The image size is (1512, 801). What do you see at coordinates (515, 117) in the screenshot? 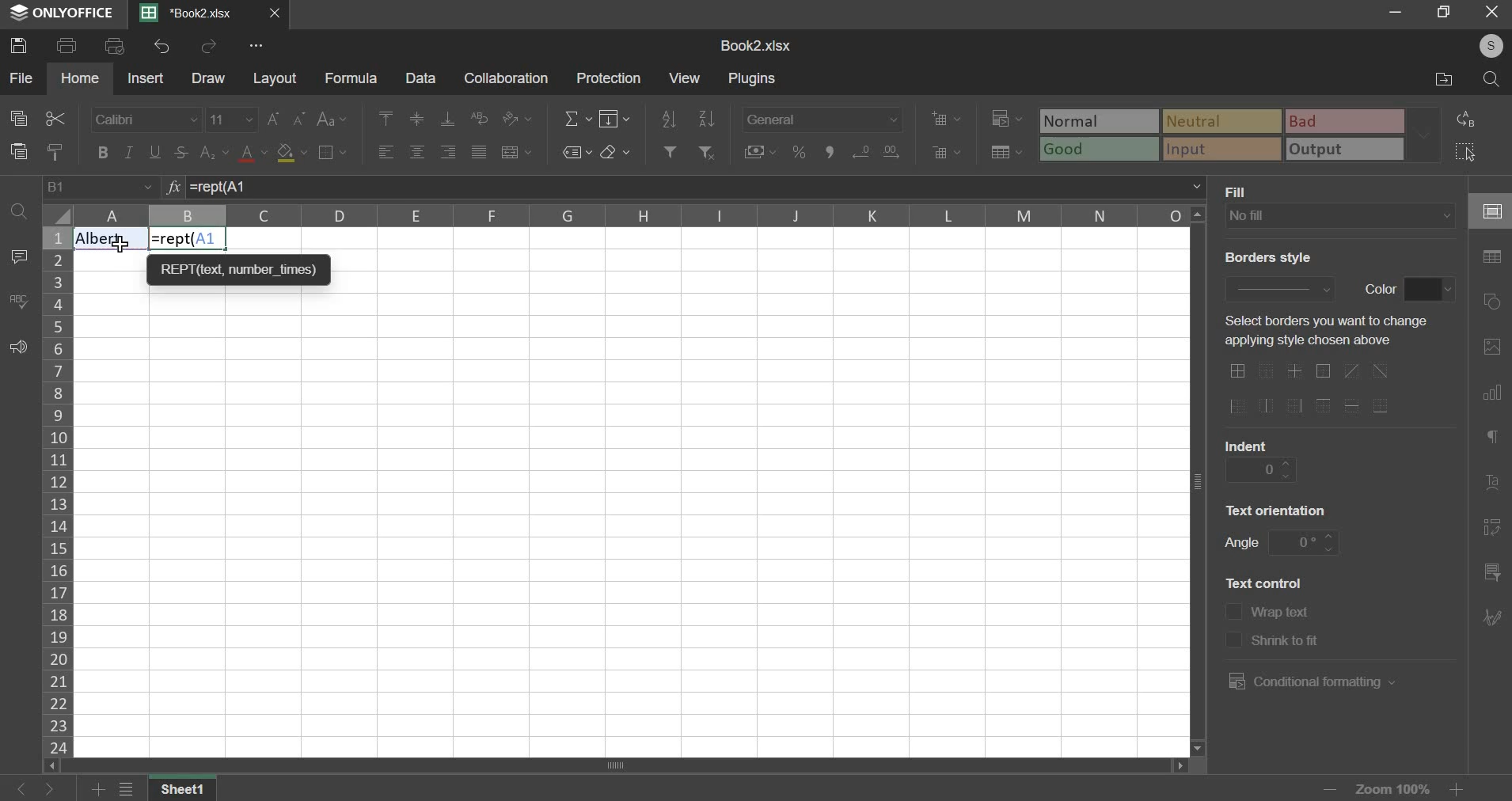
I see `orientation` at bounding box center [515, 117].